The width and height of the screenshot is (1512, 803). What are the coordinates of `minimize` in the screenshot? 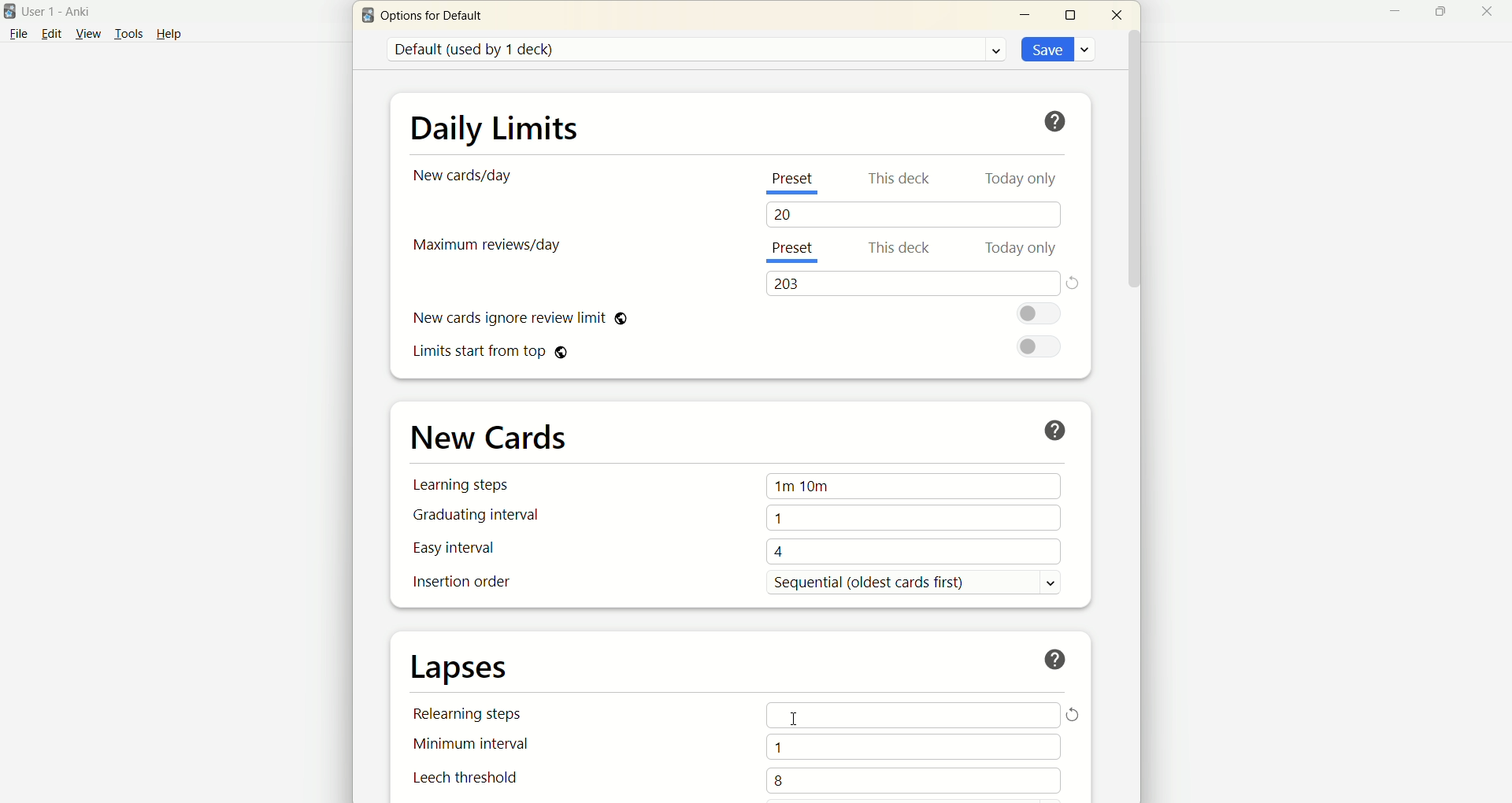 It's located at (1388, 13).